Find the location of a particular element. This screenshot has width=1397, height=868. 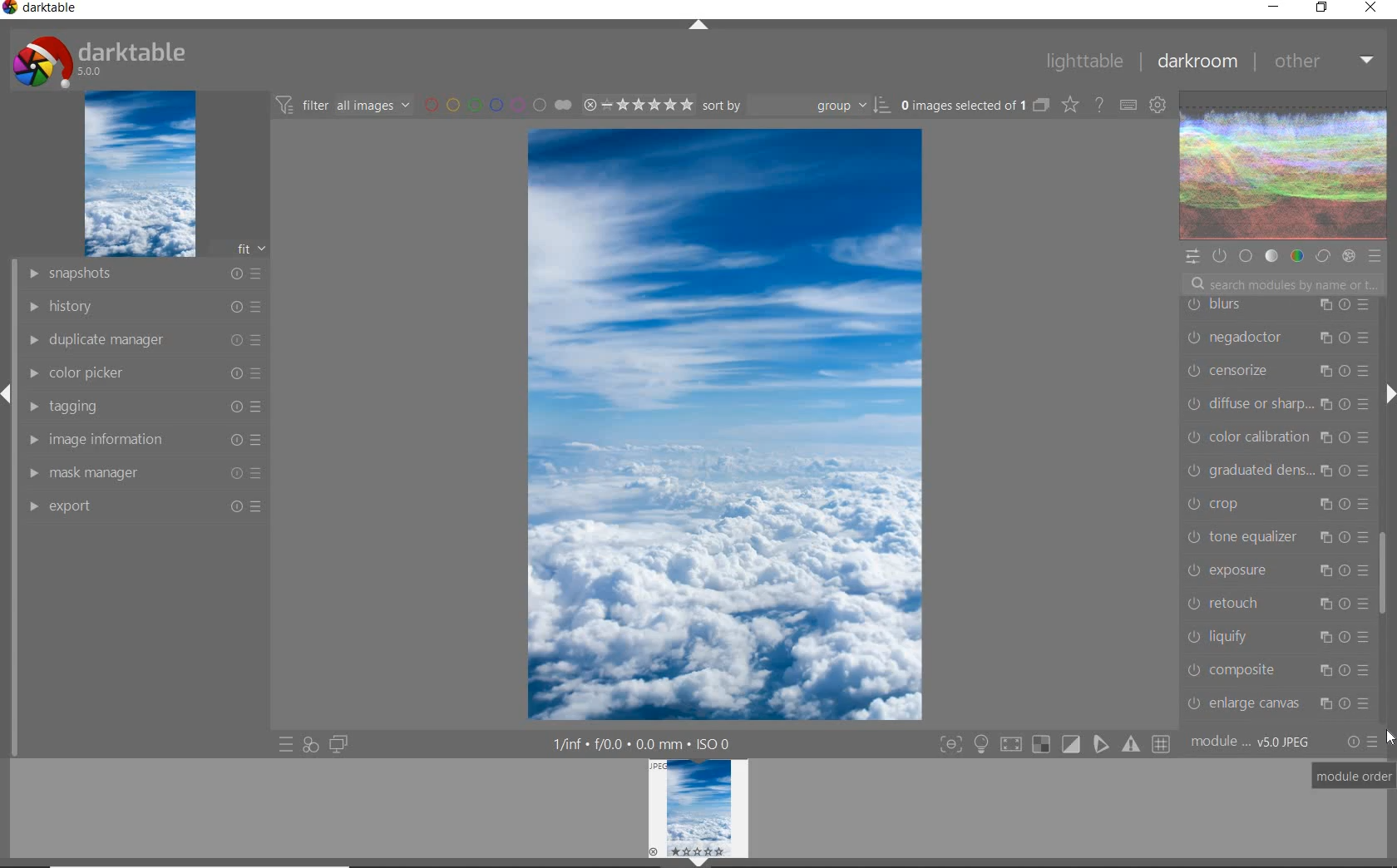

module order is located at coordinates (1355, 777).